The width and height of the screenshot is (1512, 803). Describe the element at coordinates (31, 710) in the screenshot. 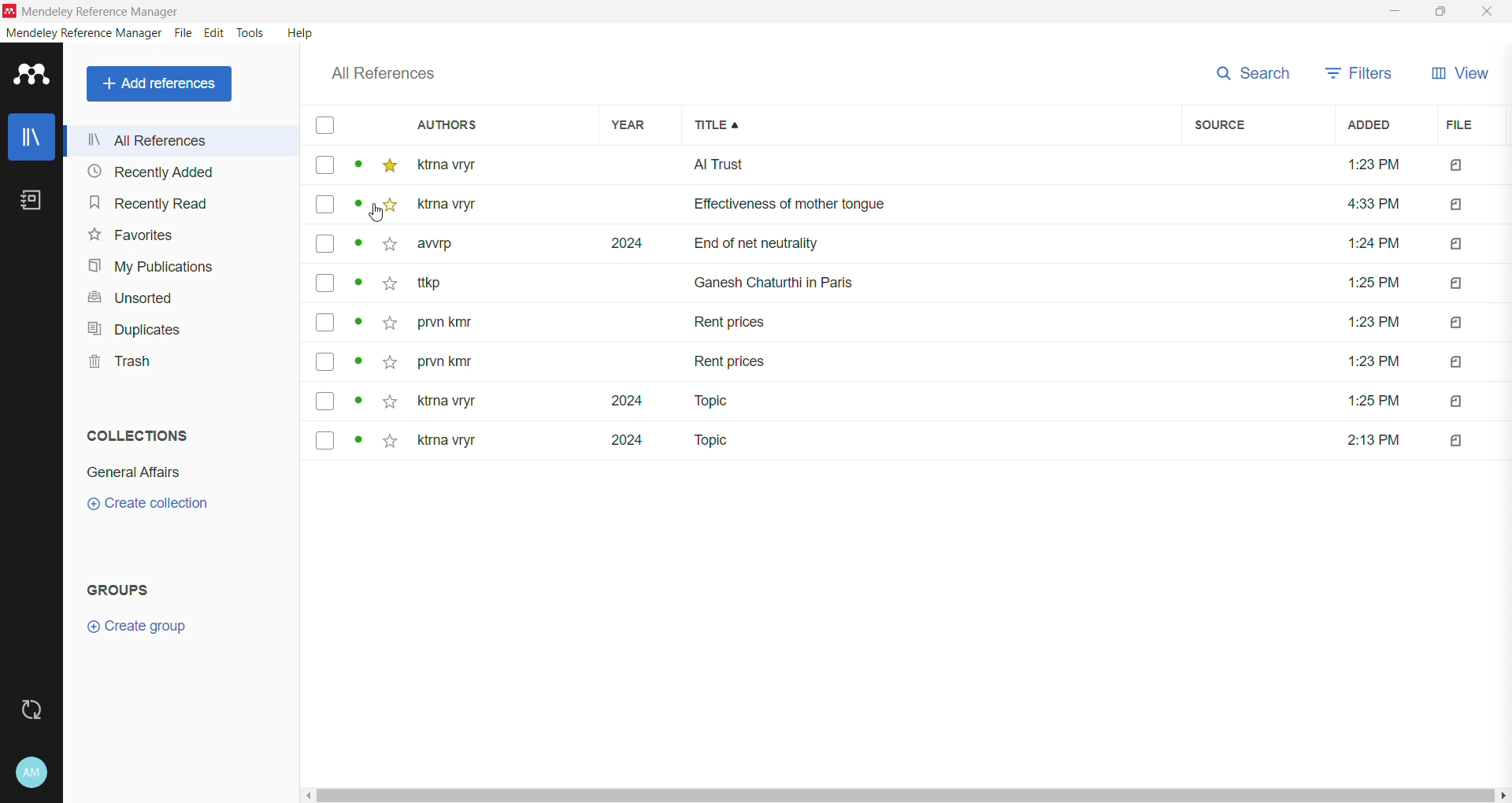

I see `Last sync` at that location.